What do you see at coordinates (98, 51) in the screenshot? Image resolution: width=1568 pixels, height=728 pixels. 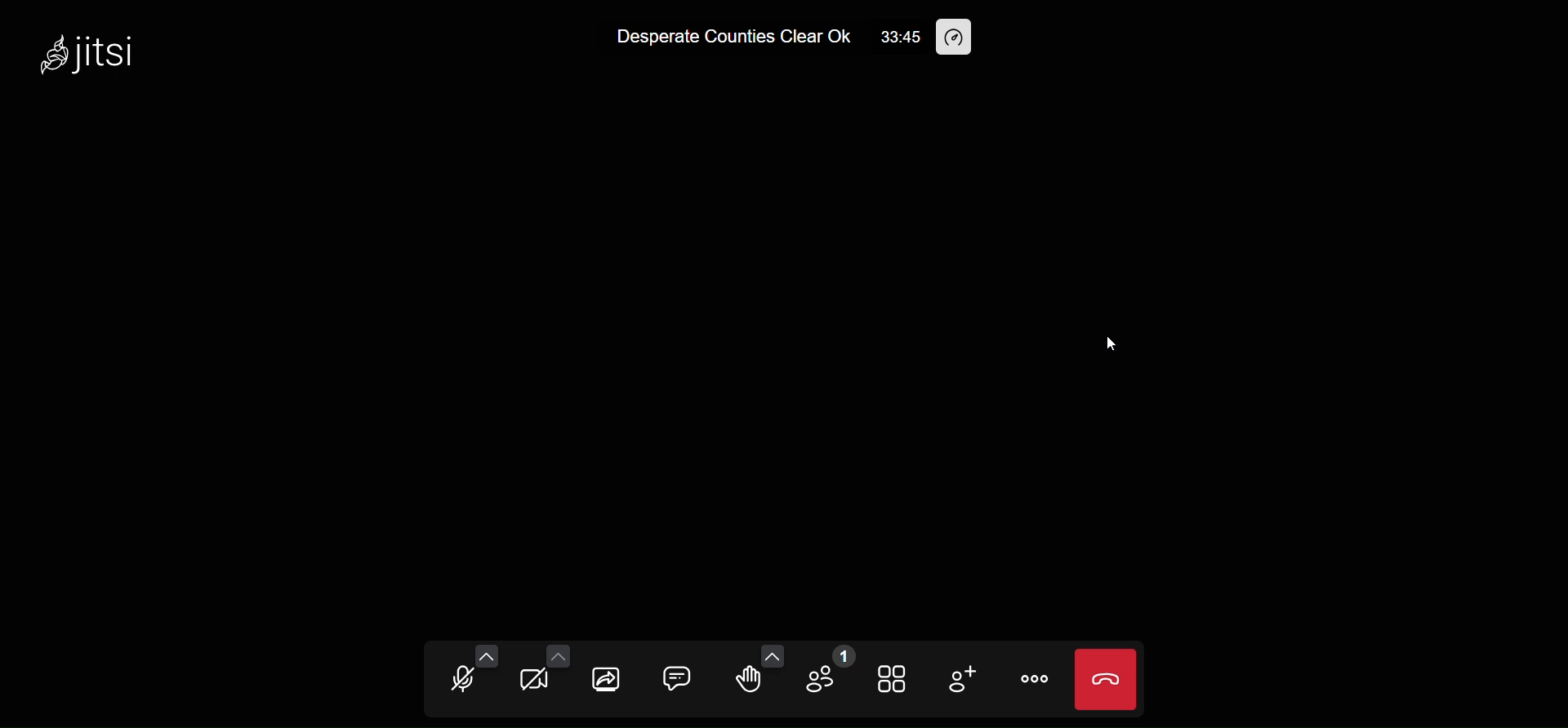 I see `jitsi` at bounding box center [98, 51].